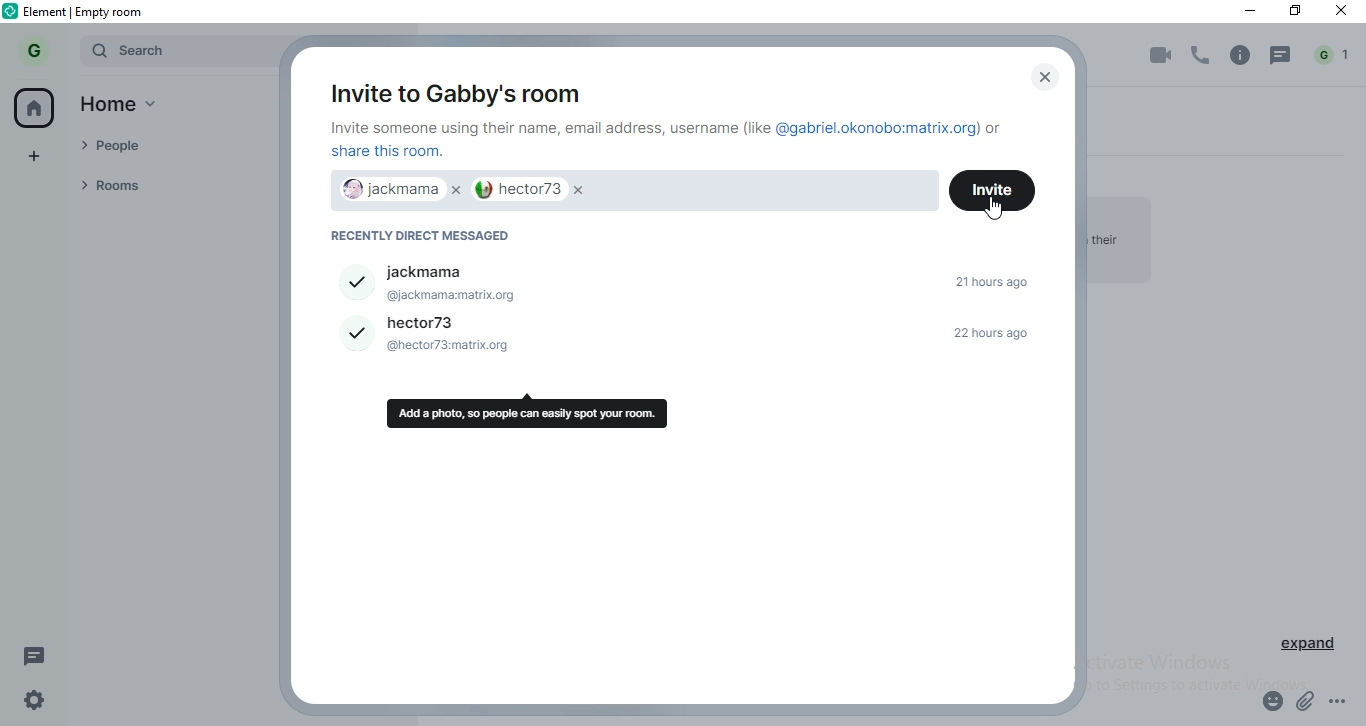 The height and width of the screenshot is (726, 1366). What do you see at coordinates (393, 191) in the screenshot?
I see `jackmamae` at bounding box center [393, 191].